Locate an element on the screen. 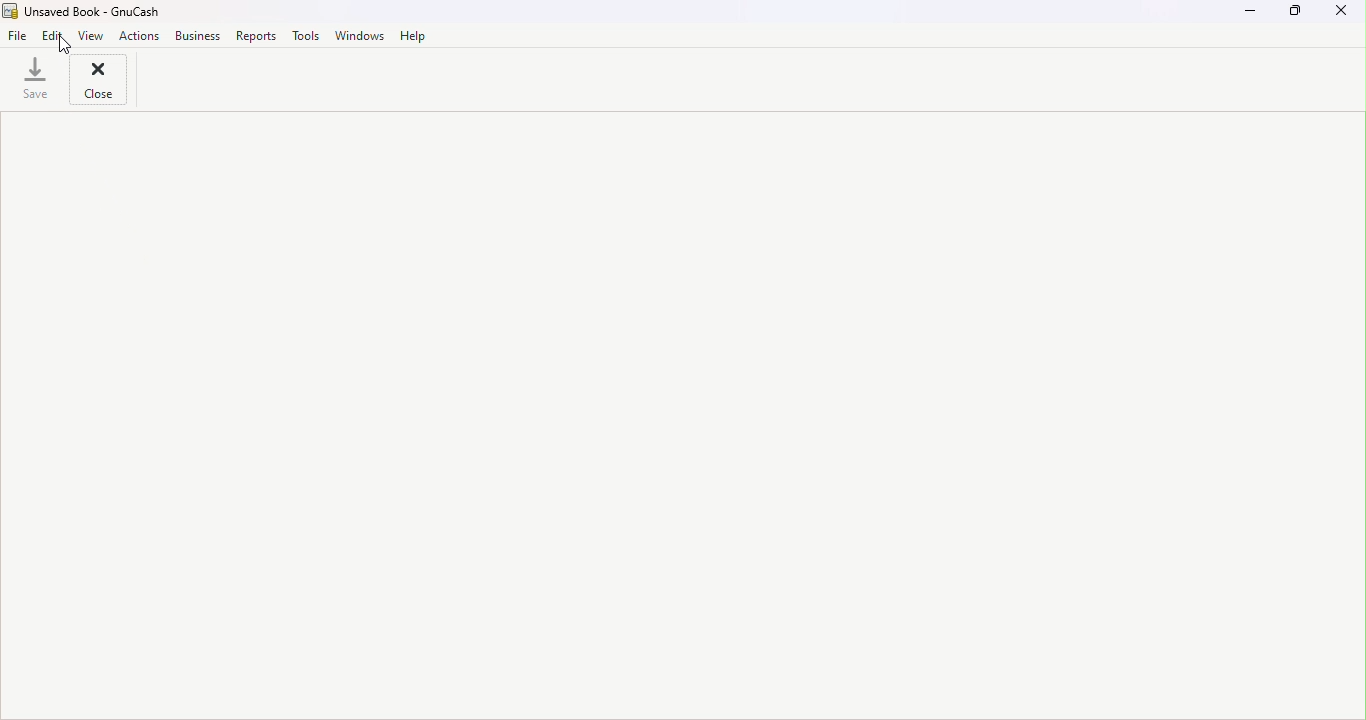 Image resolution: width=1366 pixels, height=720 pixels. Tools is located at coordinates (307, 35).